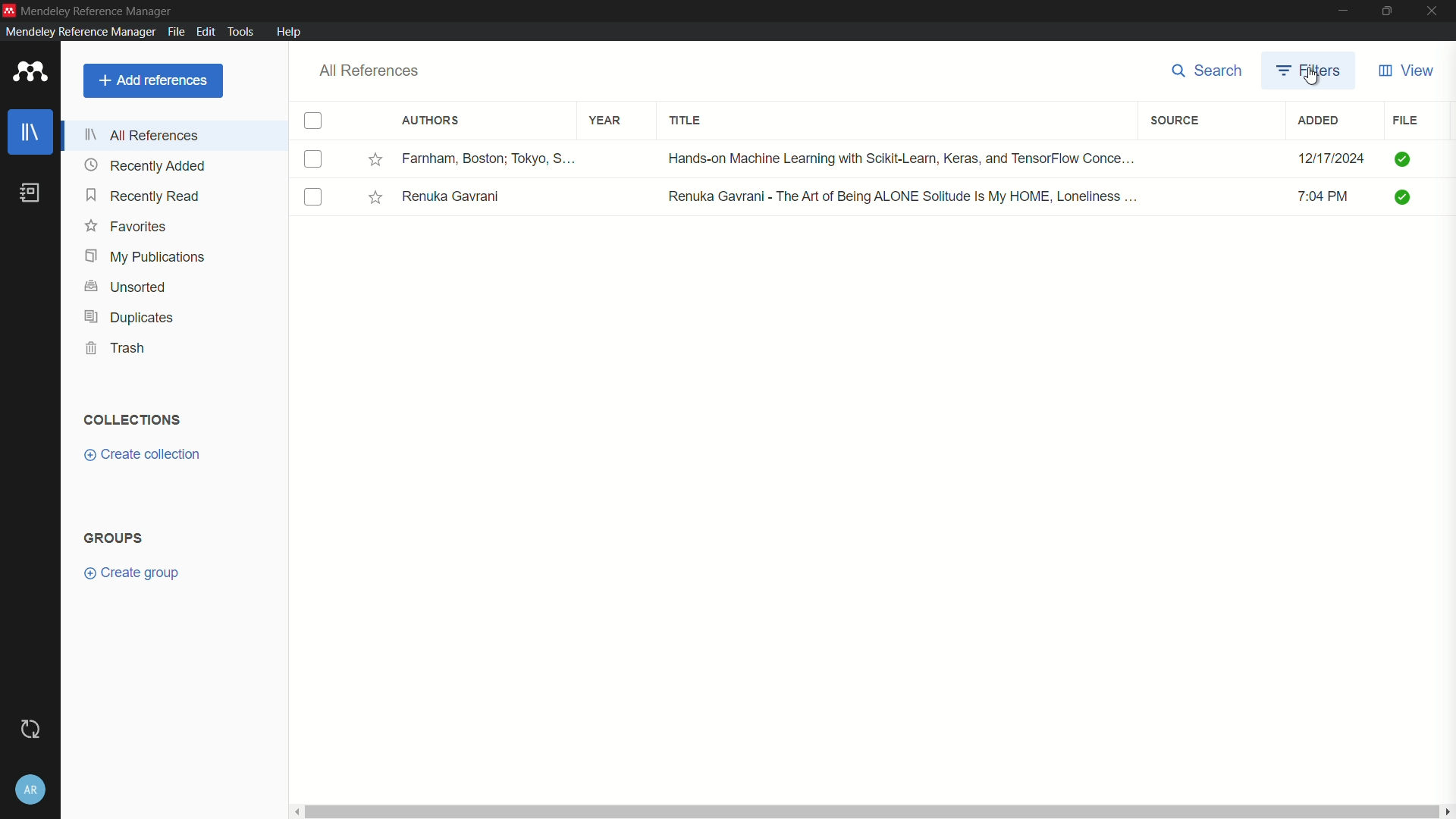 The image size is (1456, 819). What do you see at coordinates (1318, 121) in the screenshot?
I see `added` at bounding box center [1318, 121].